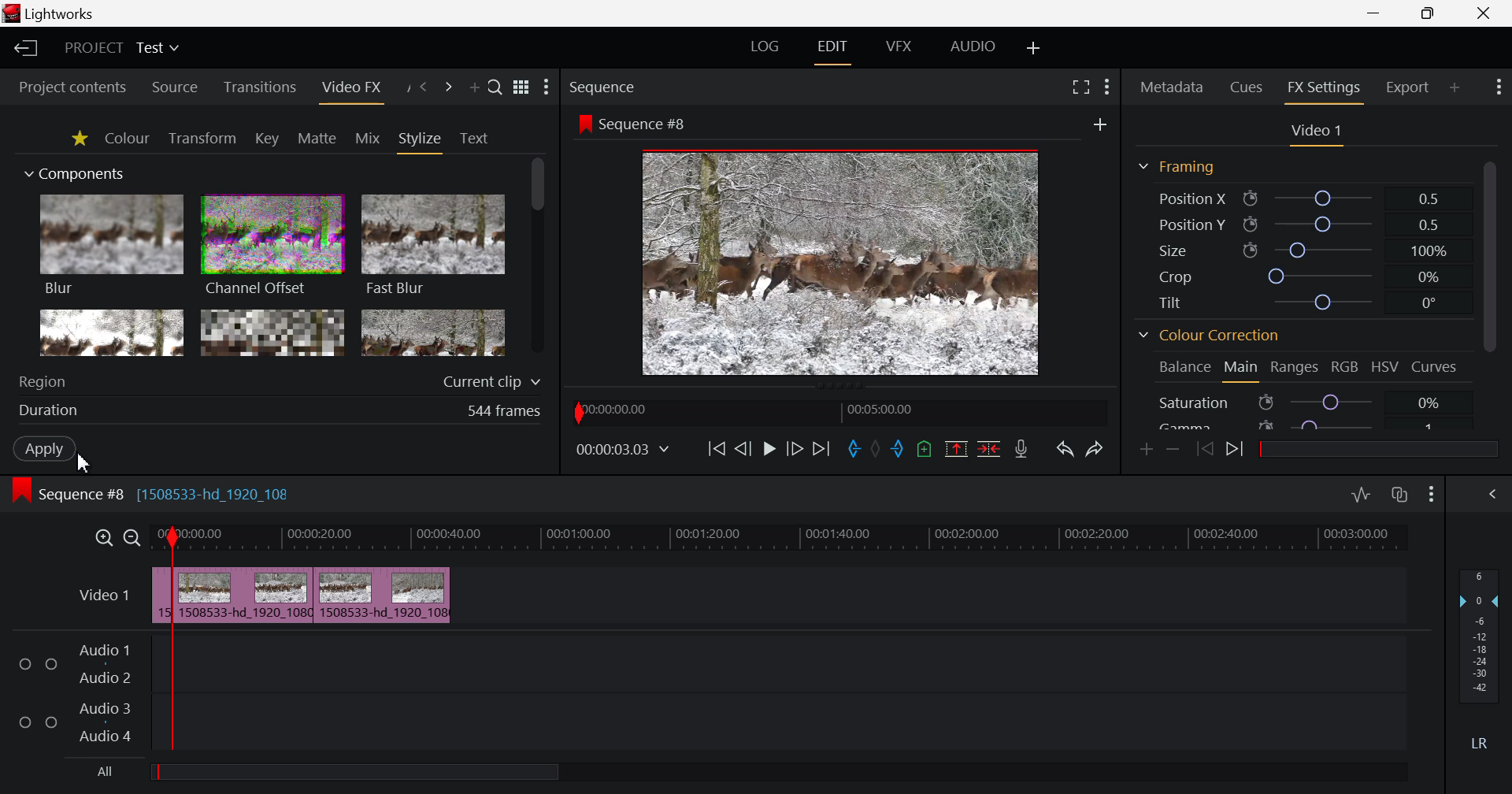 Image resolution: width=1512 pixels, height=794 pixels. Describe the element at coordinates (880, 447) in the screenshot. I see `Remove all marks` at that location.